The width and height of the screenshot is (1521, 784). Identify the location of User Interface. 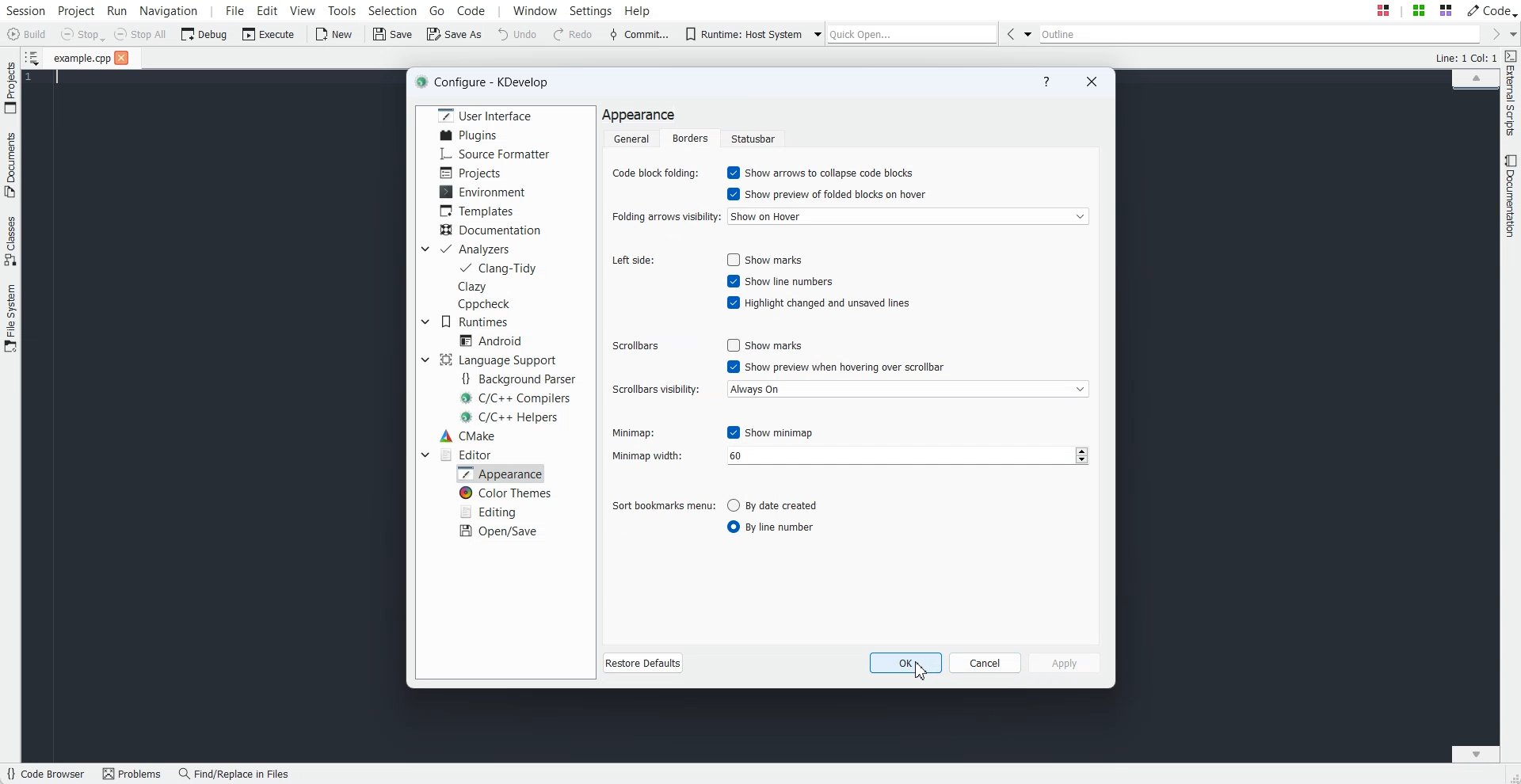
(486, 115).